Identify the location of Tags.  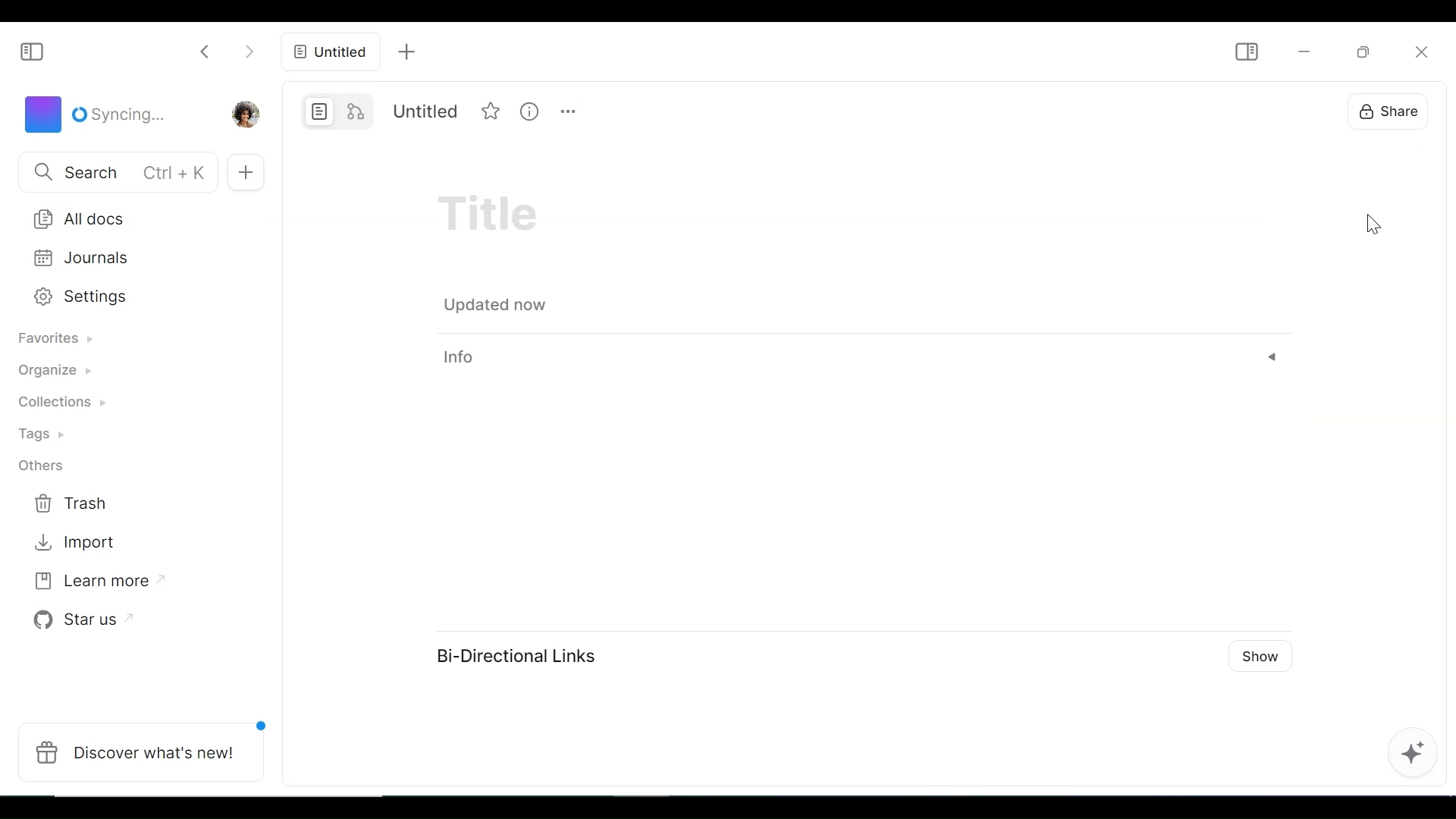
(49, 436).